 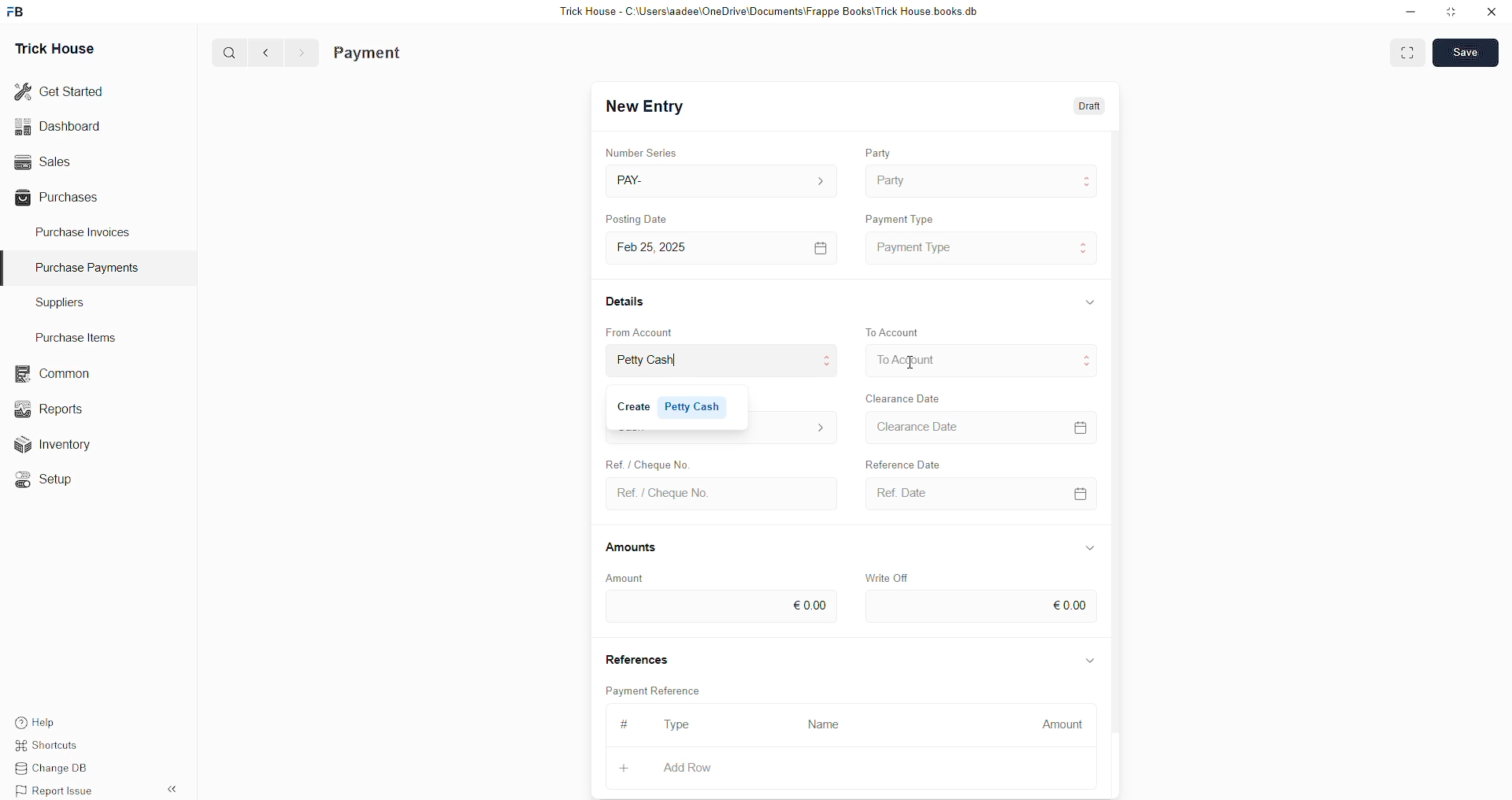 What do you see at coordinates (54, 302) in the screenshot?
I see `Suppliers` at bounding box center [54, 302].